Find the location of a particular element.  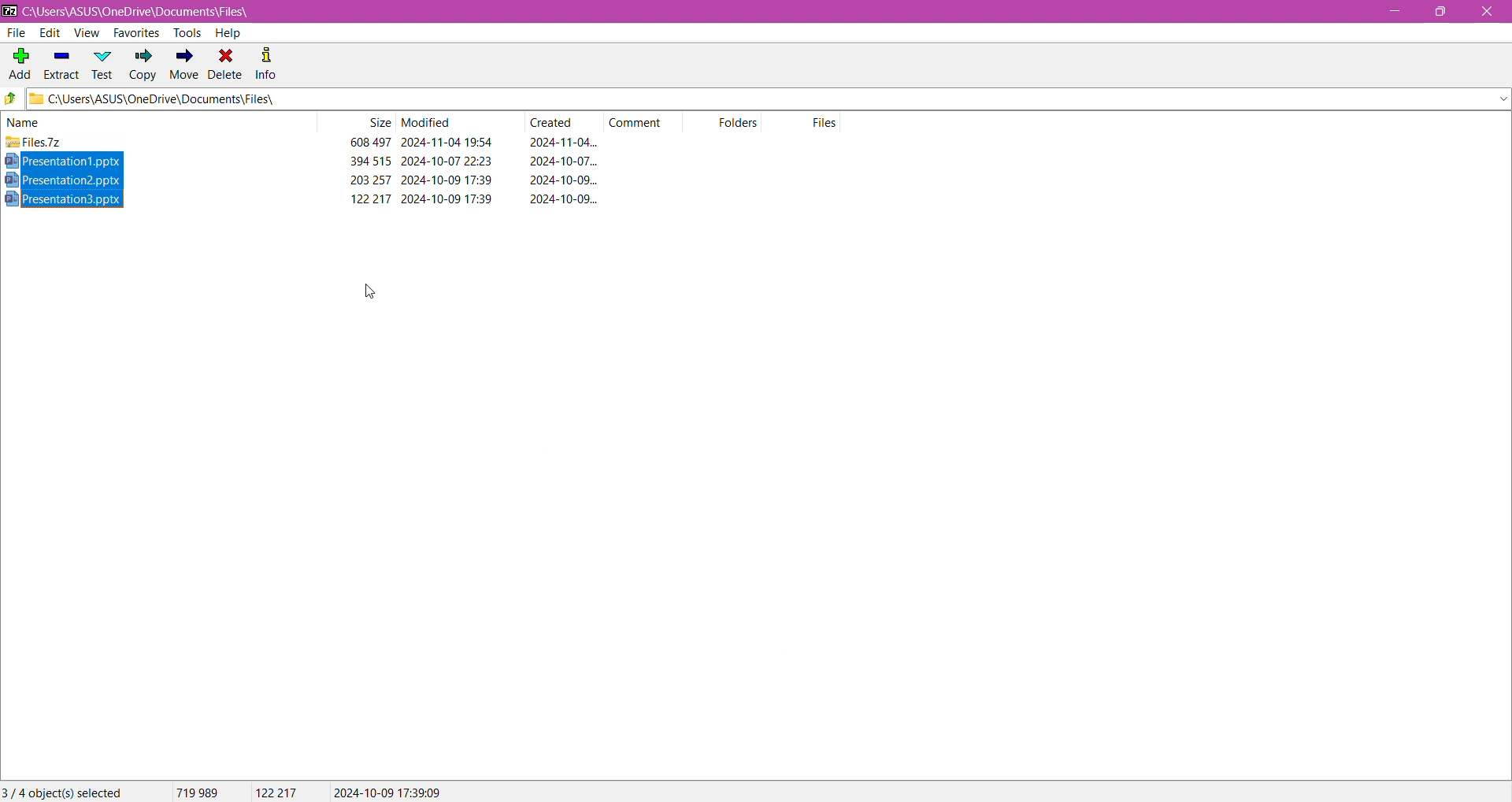

File is located at coordinates (18, 33).